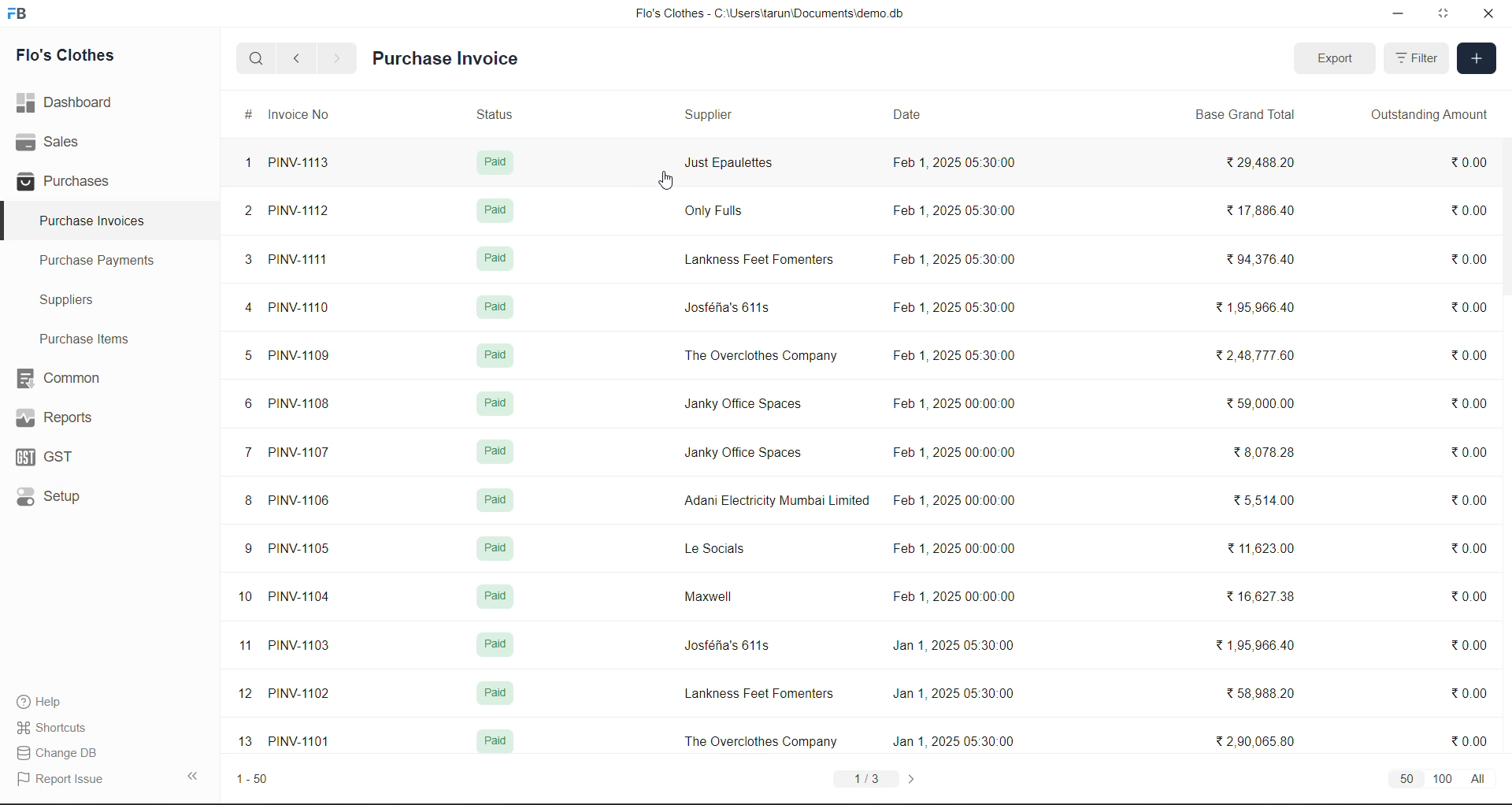 The width and height of the screenshot is (1512, 805). What do you see at coordinates (955, 743) in the screenshot?
I see `Jan 1, 2025 05:30:00` at bounding box center [955, 743].